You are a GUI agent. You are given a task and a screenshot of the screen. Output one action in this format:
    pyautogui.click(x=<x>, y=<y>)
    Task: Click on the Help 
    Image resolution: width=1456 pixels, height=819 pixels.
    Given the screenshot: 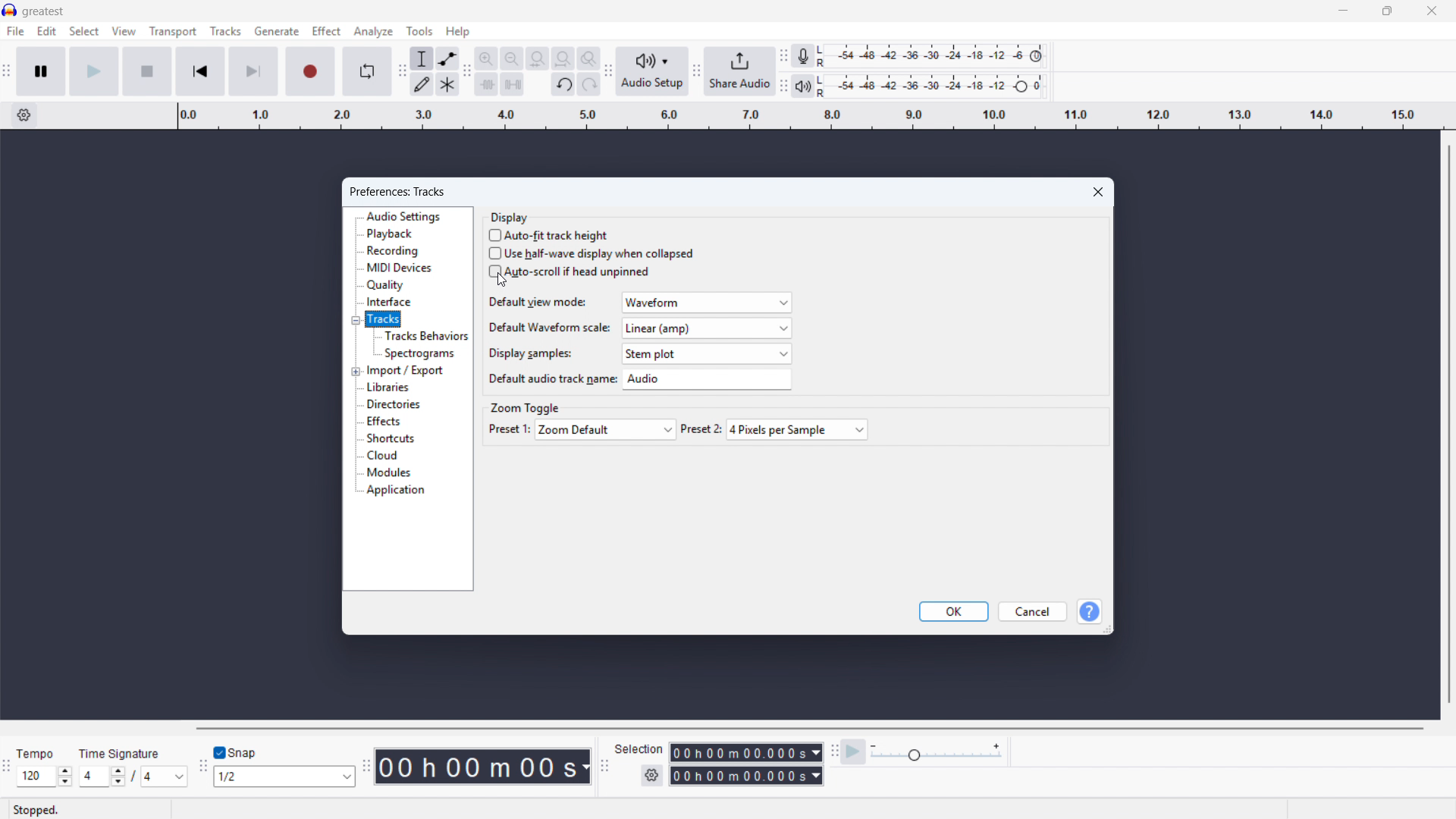 What is the action you would take?
    pyautogui.click(x=457, y=32)
    